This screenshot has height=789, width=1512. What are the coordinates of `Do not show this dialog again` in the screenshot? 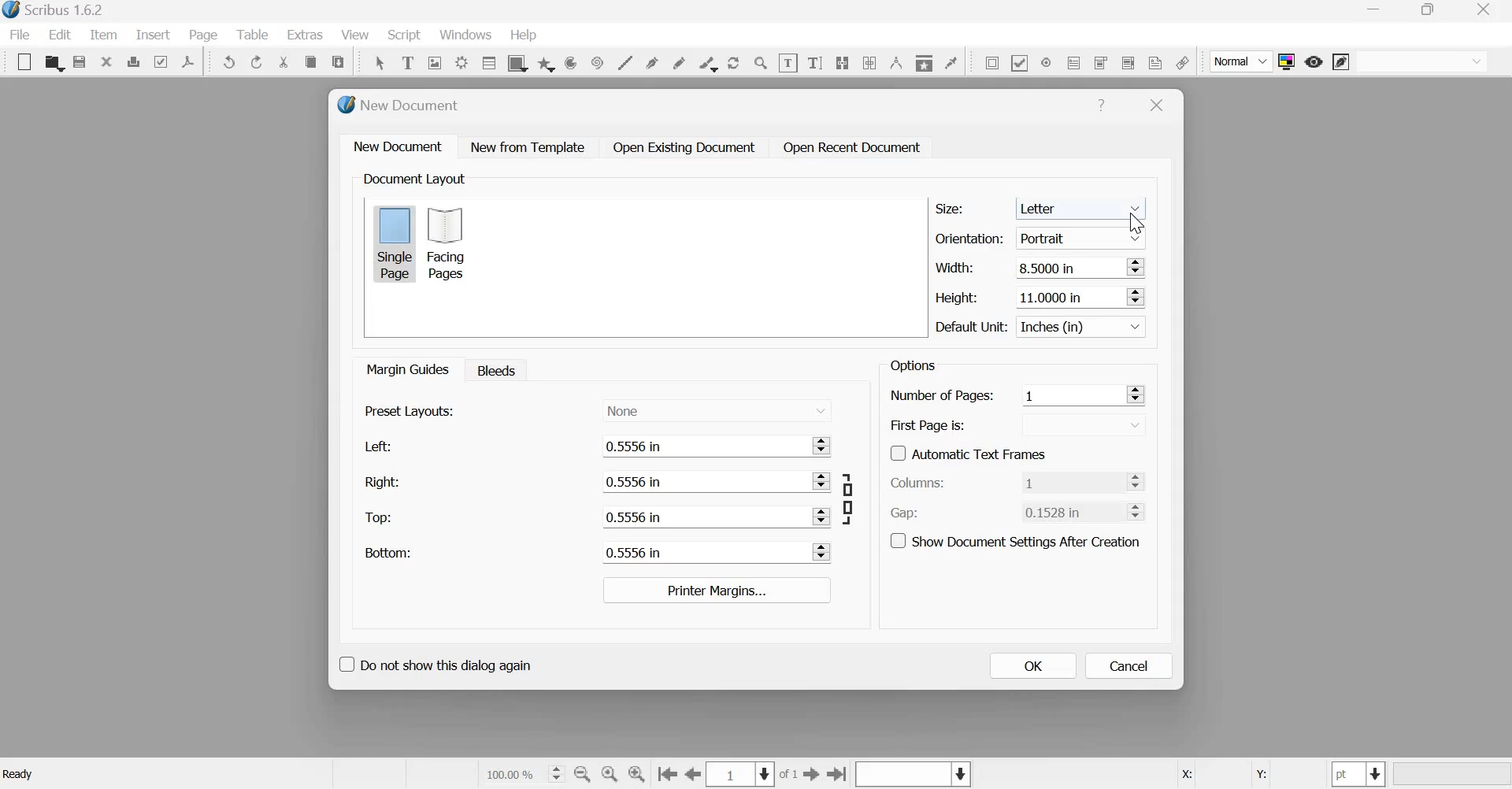 It's located at (434, 662).